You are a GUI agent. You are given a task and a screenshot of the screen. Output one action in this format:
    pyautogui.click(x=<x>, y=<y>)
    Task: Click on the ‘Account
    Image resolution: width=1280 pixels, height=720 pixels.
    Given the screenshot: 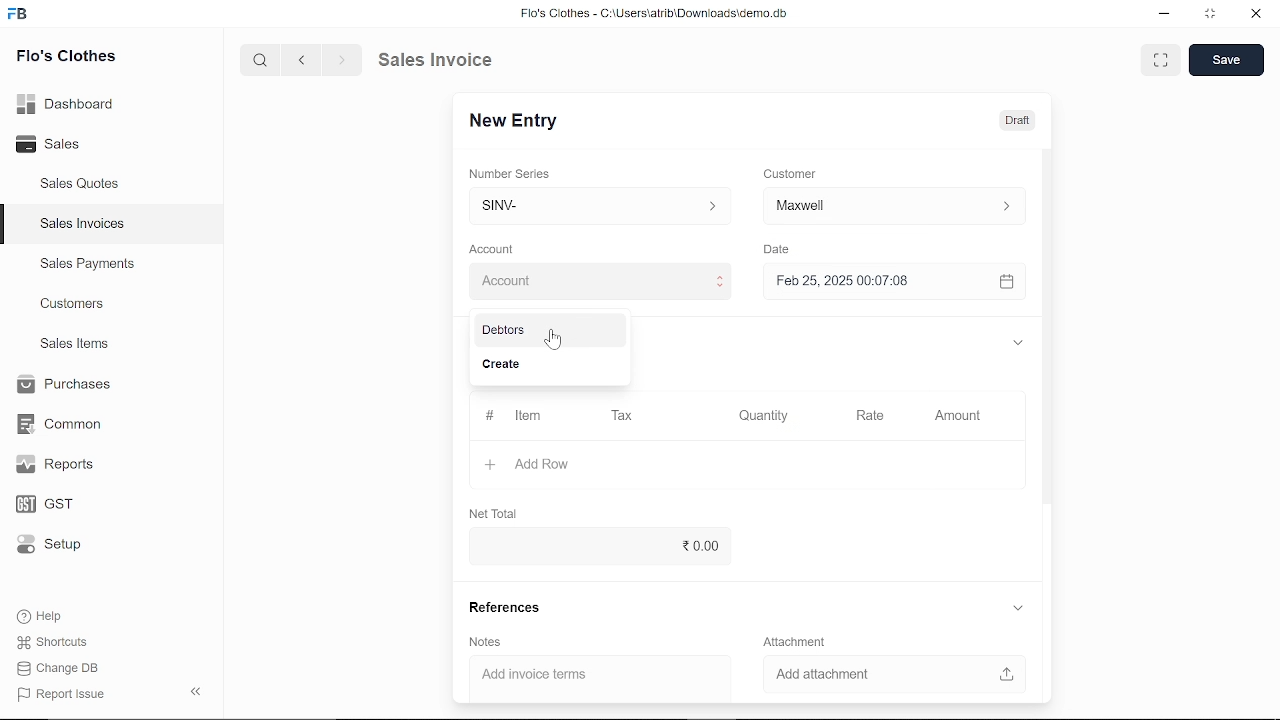 What is the action you would take?
    pyautogui.click(x=491, y=248)
    